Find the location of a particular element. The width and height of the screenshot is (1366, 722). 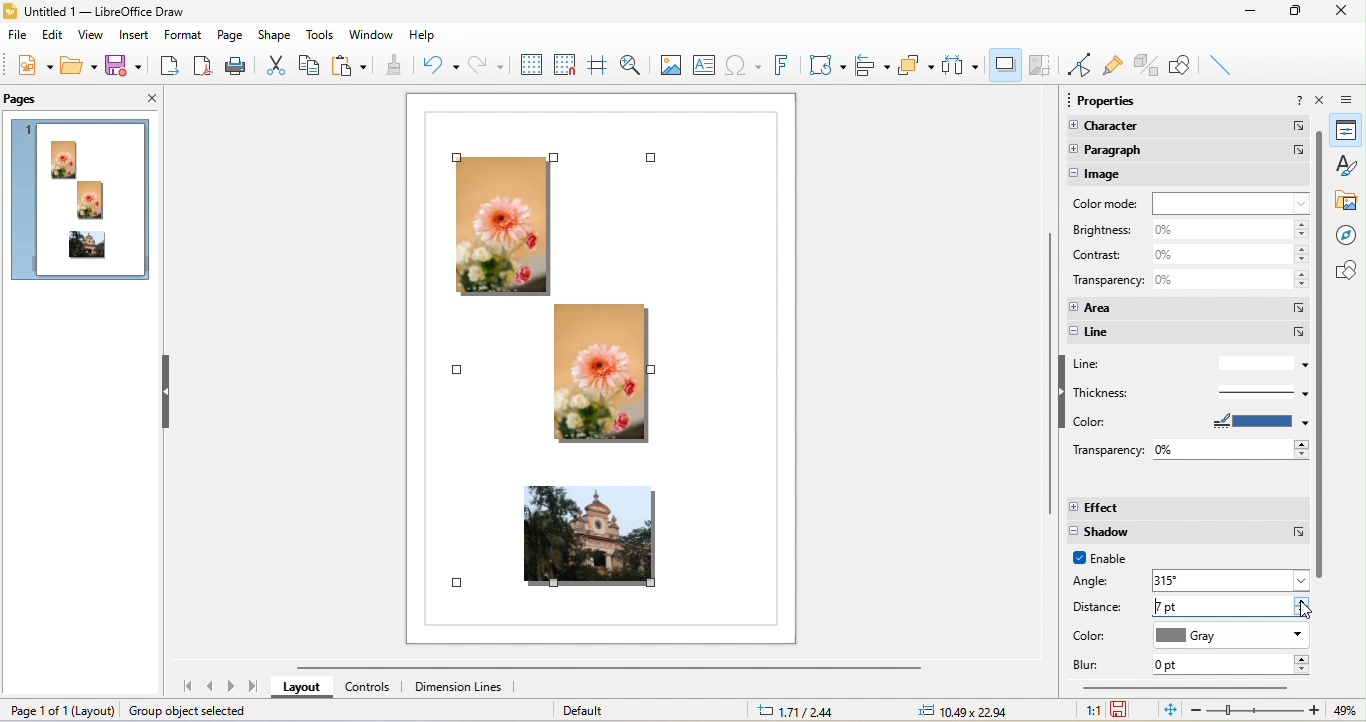

color is located at coordinates (1098, 636).